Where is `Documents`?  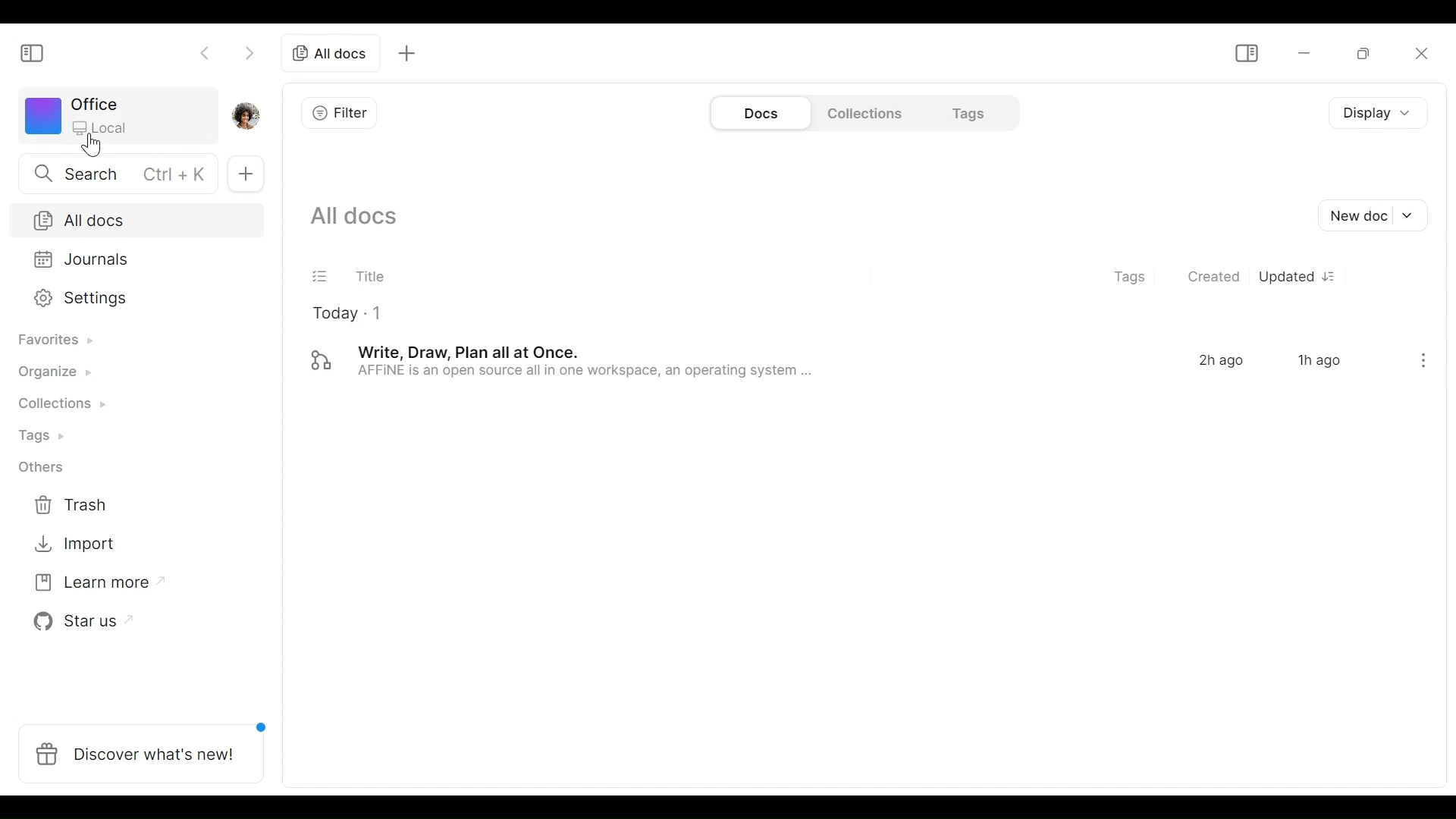
Documents is located at coordinates (761, 113).